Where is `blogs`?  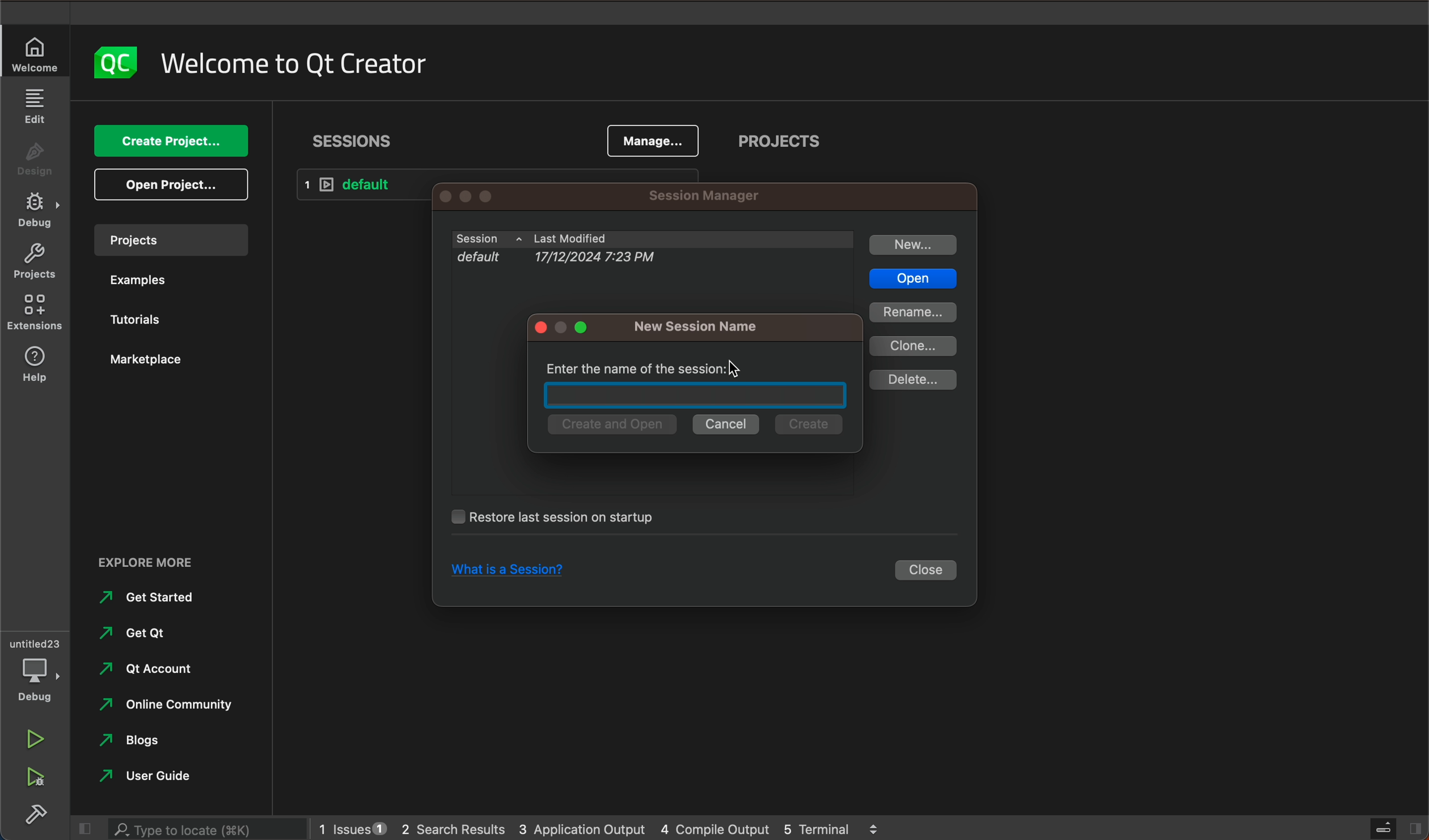 blogs is located at coordinates (136, 741).